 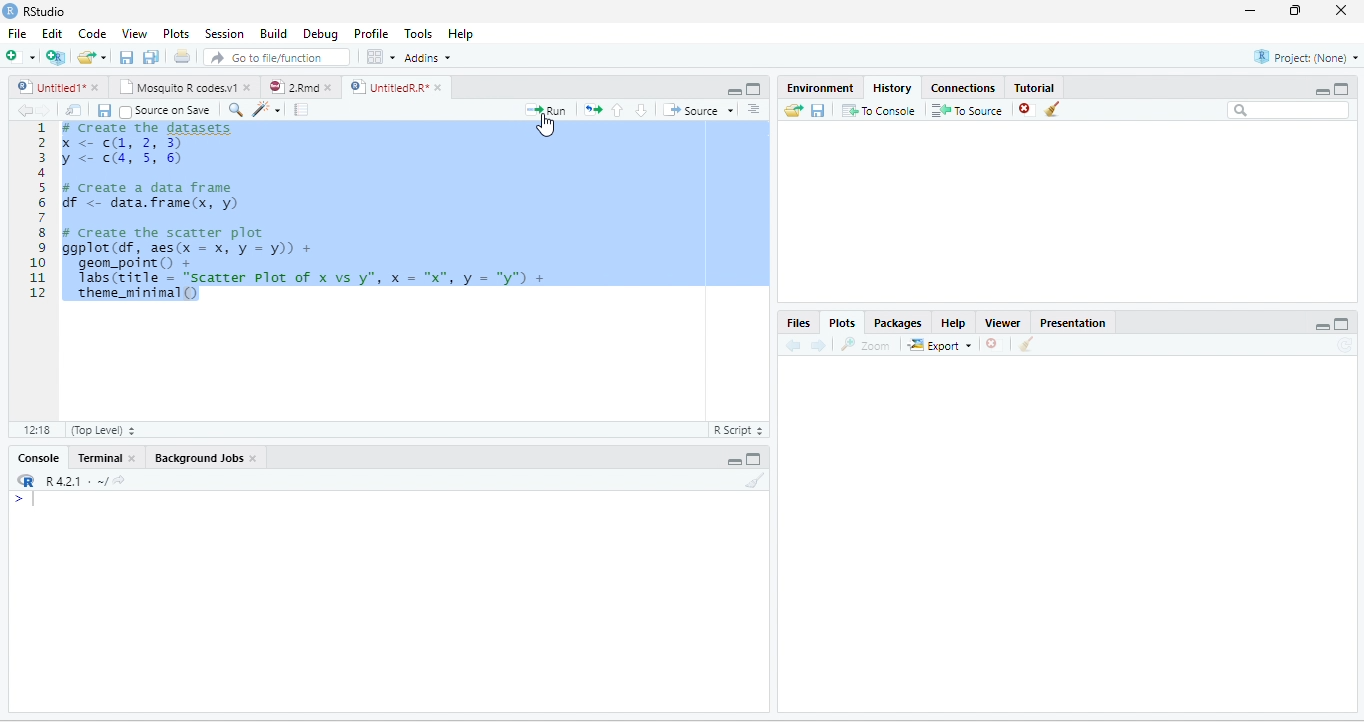 What do you see at coordinates (546, 110) in the screenshot?
I see `Run` at bounding box center [546, 110].